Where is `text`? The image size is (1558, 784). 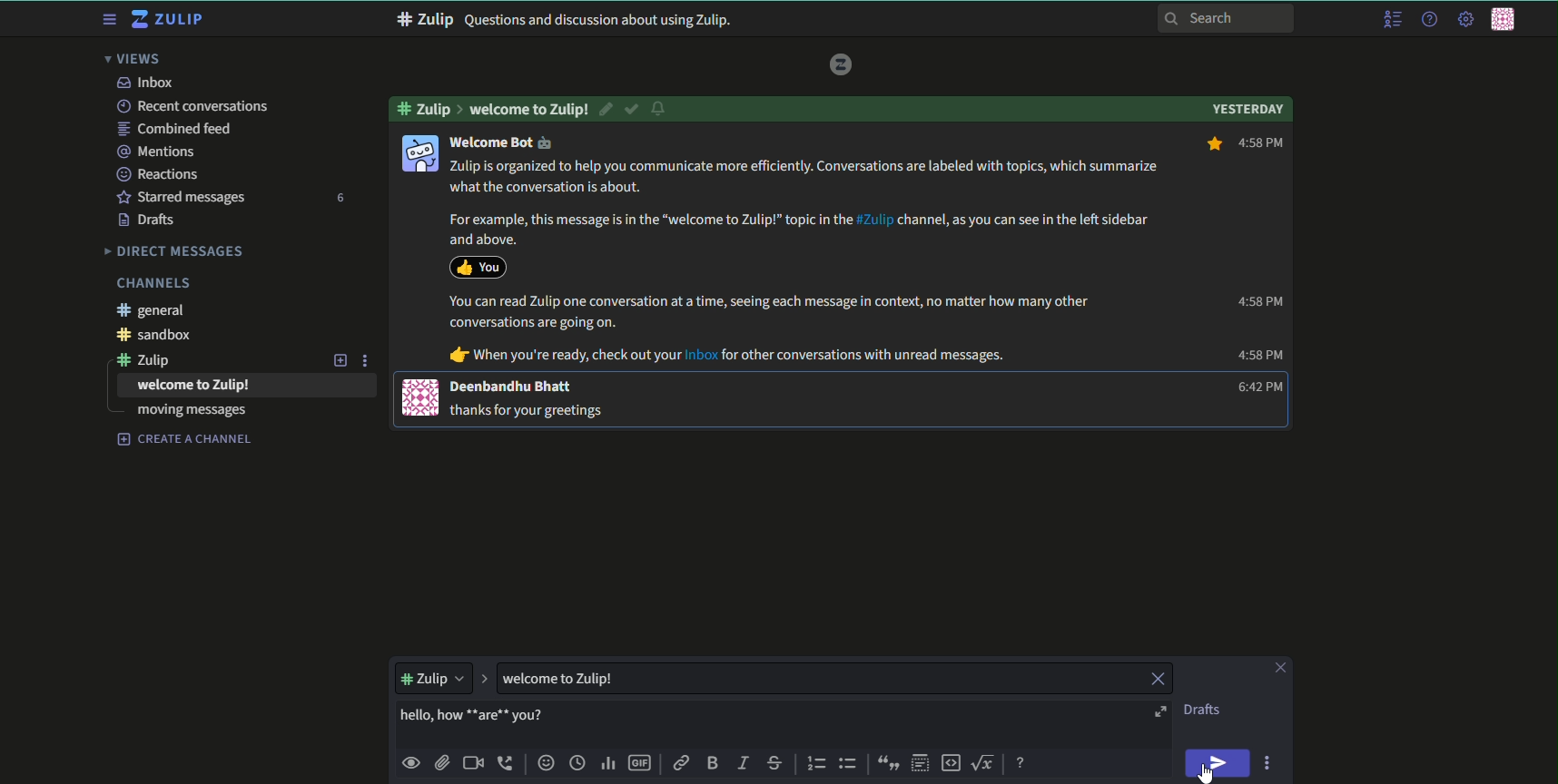
text is located at coordinates (194, 386).